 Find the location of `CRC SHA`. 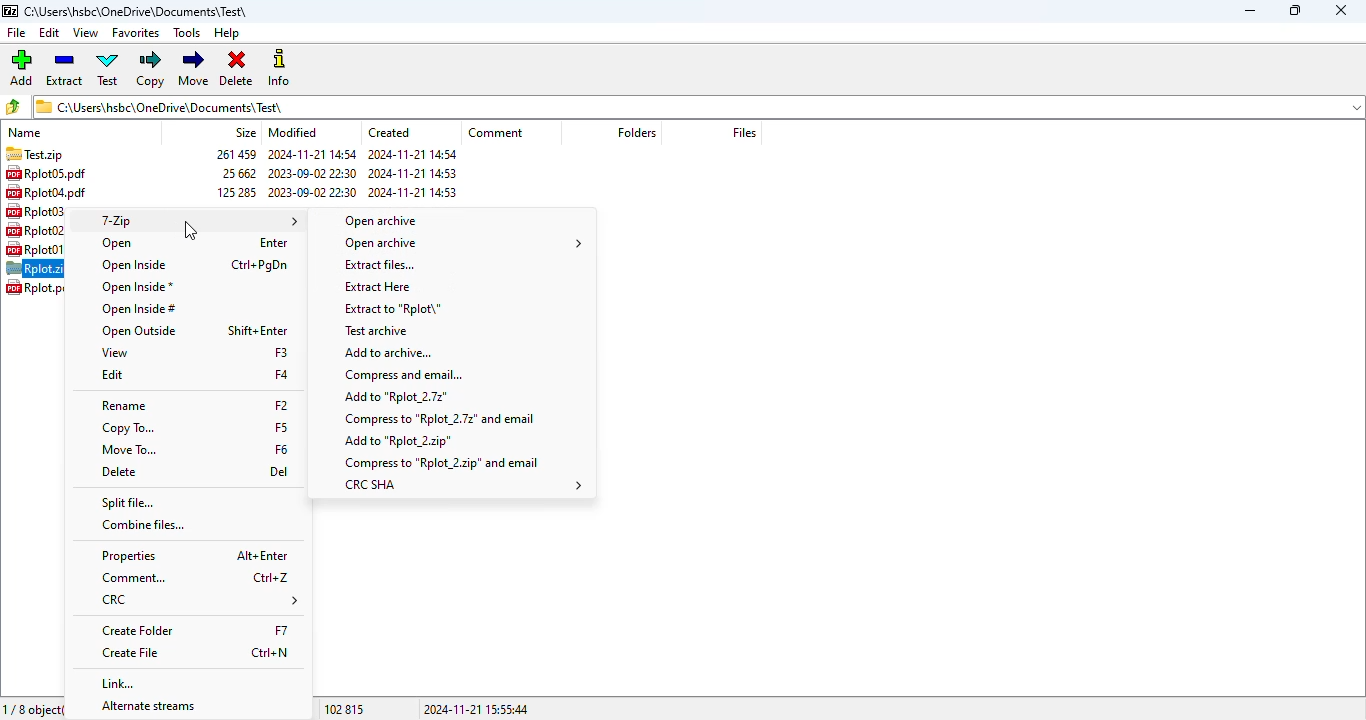

CRC SHA is located at coordinates (464, 484).